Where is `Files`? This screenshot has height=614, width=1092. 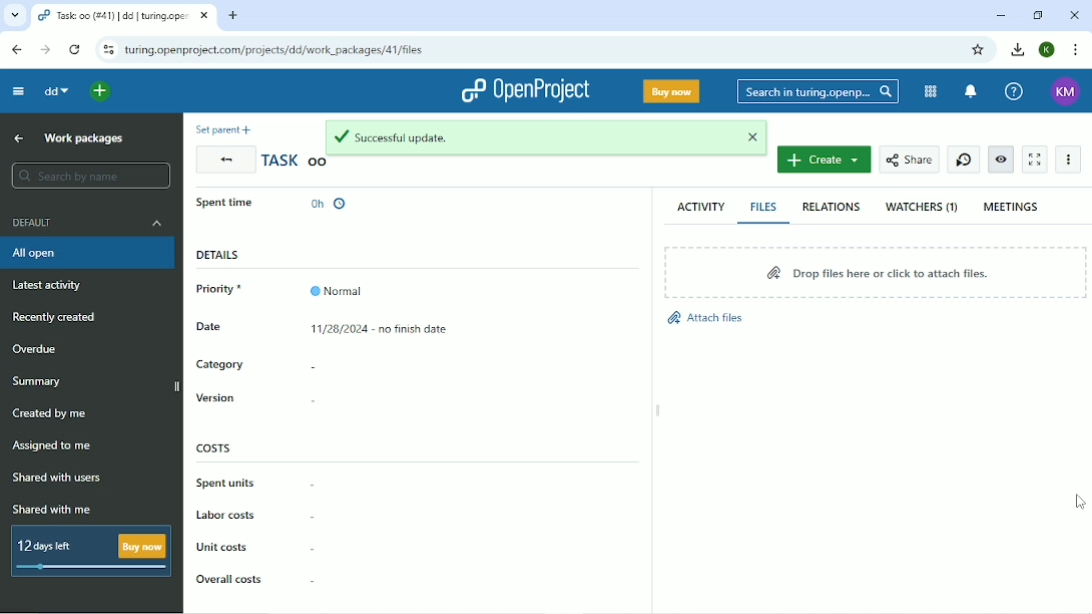
Files is located at coordinates (766, 207).